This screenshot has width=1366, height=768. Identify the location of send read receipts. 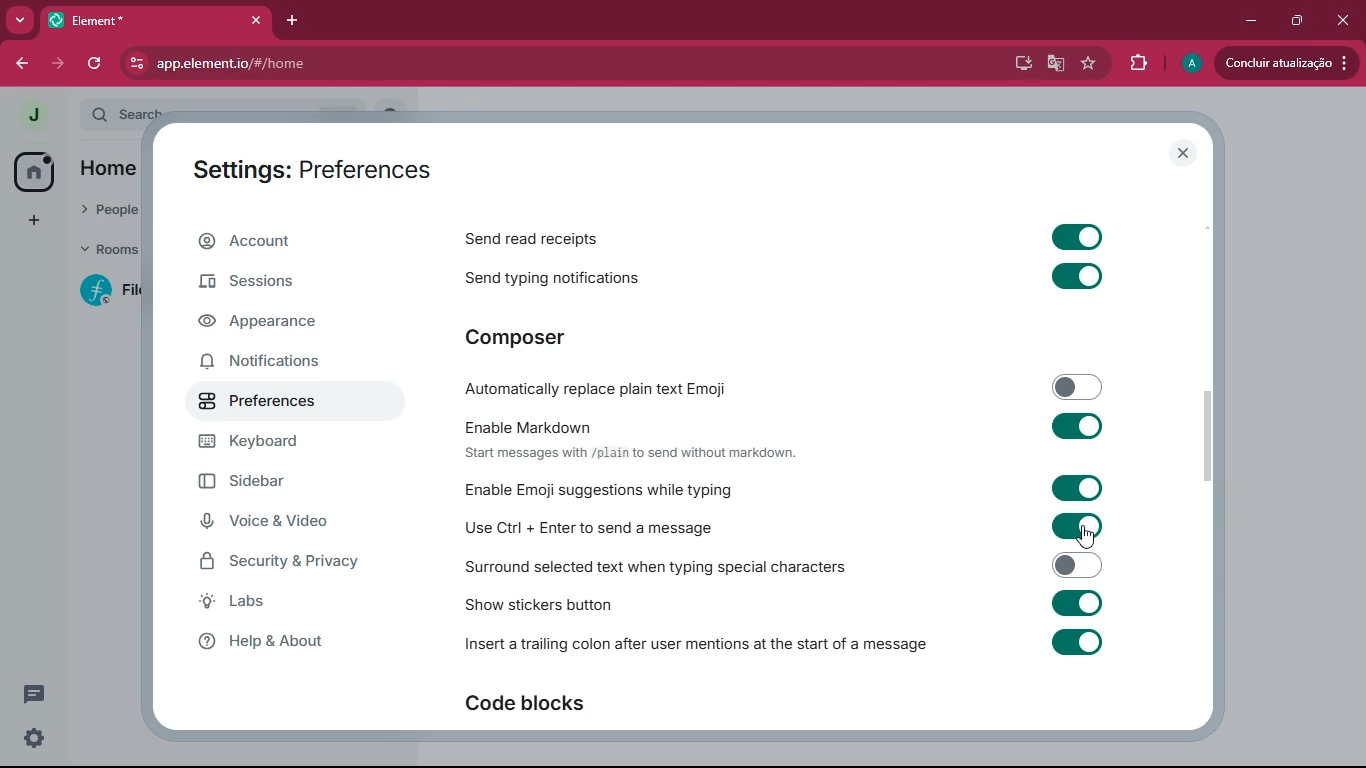
(543, 241).